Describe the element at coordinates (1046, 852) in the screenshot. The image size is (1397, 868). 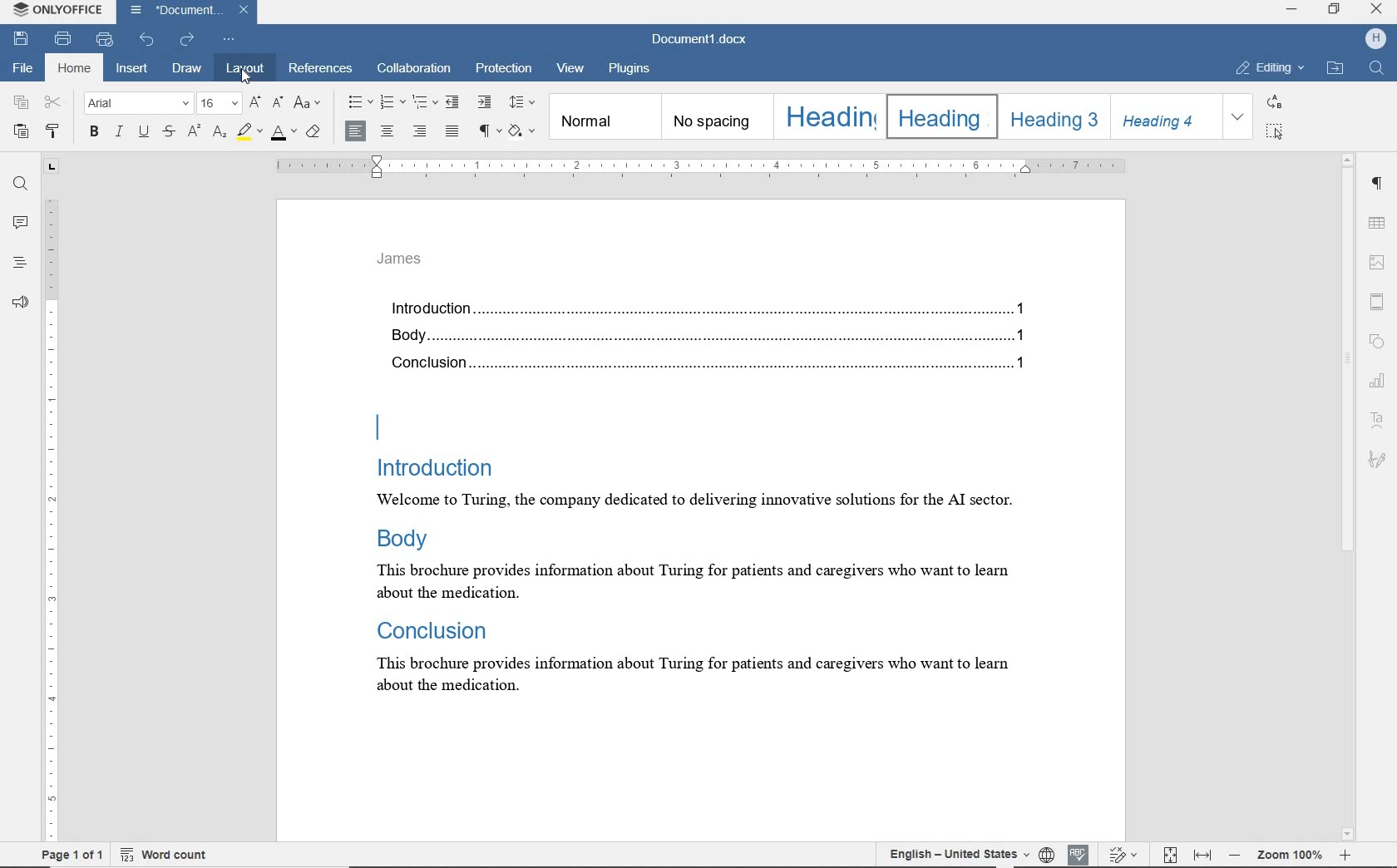
I see `set document language` at that location.